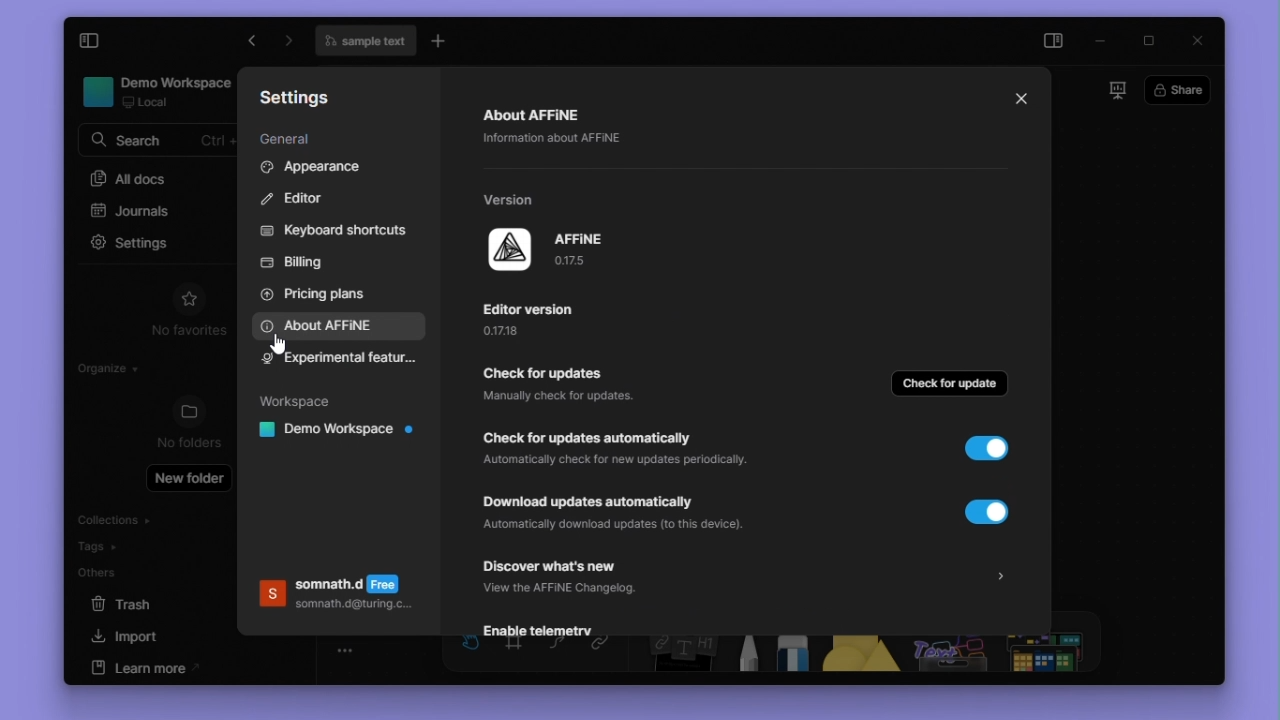 This screenshot has height=720, width=1280. What do you see at coordinates (513, 654) in the screenshot?
I see `frame` at bounding box center [513, 654].